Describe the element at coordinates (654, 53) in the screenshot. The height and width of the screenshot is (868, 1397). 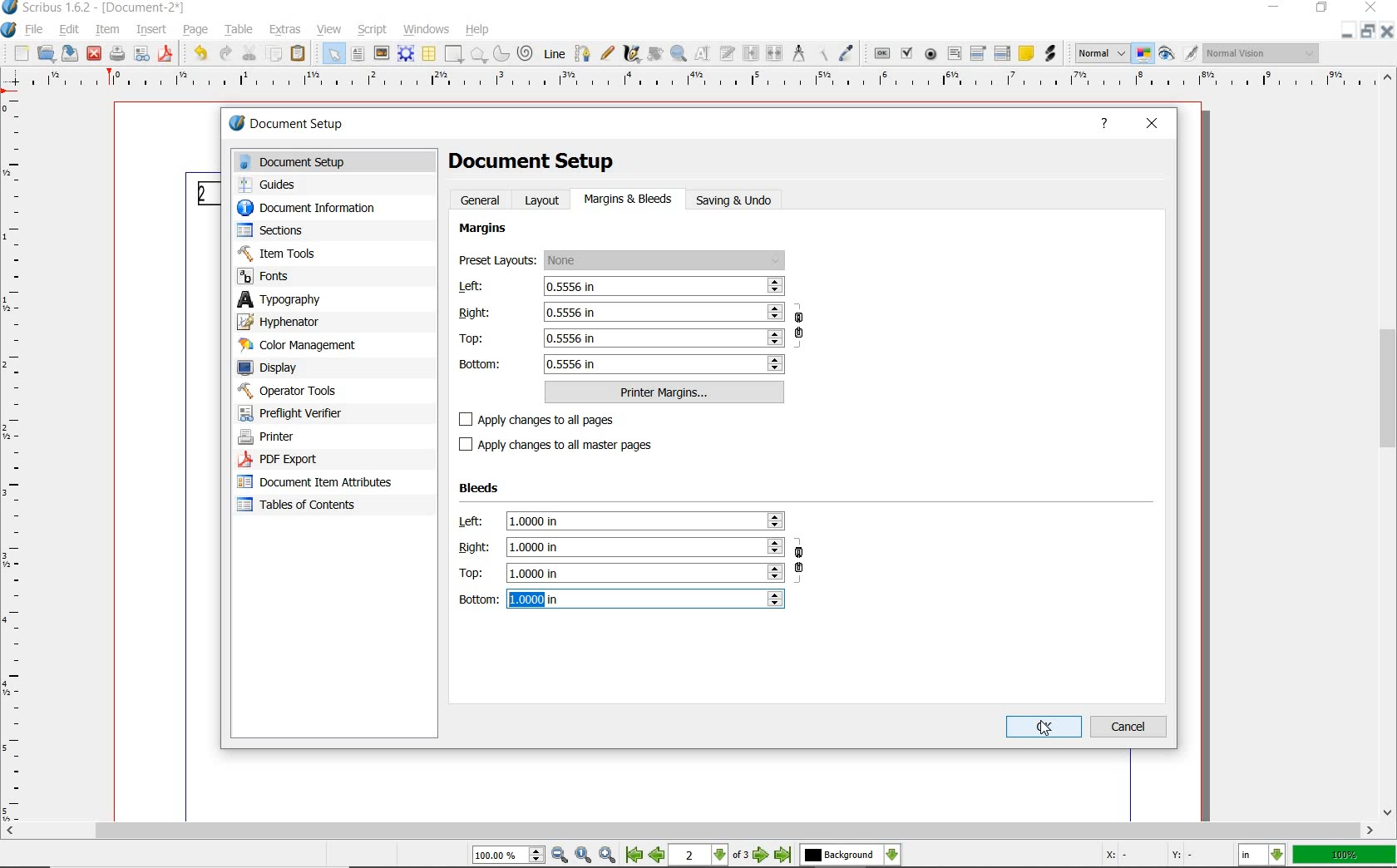
I see `rotate item` at that location.